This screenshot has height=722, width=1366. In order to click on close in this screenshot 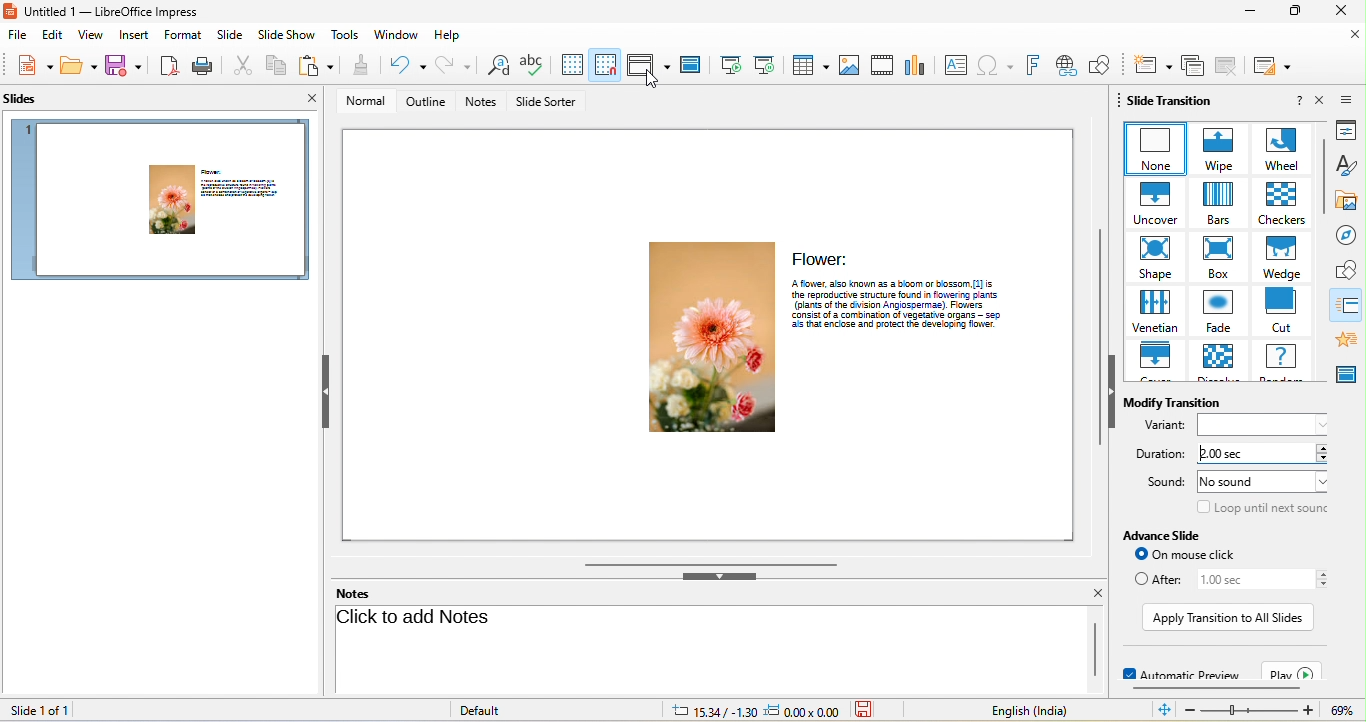, I will do `click(1354, 37)`.